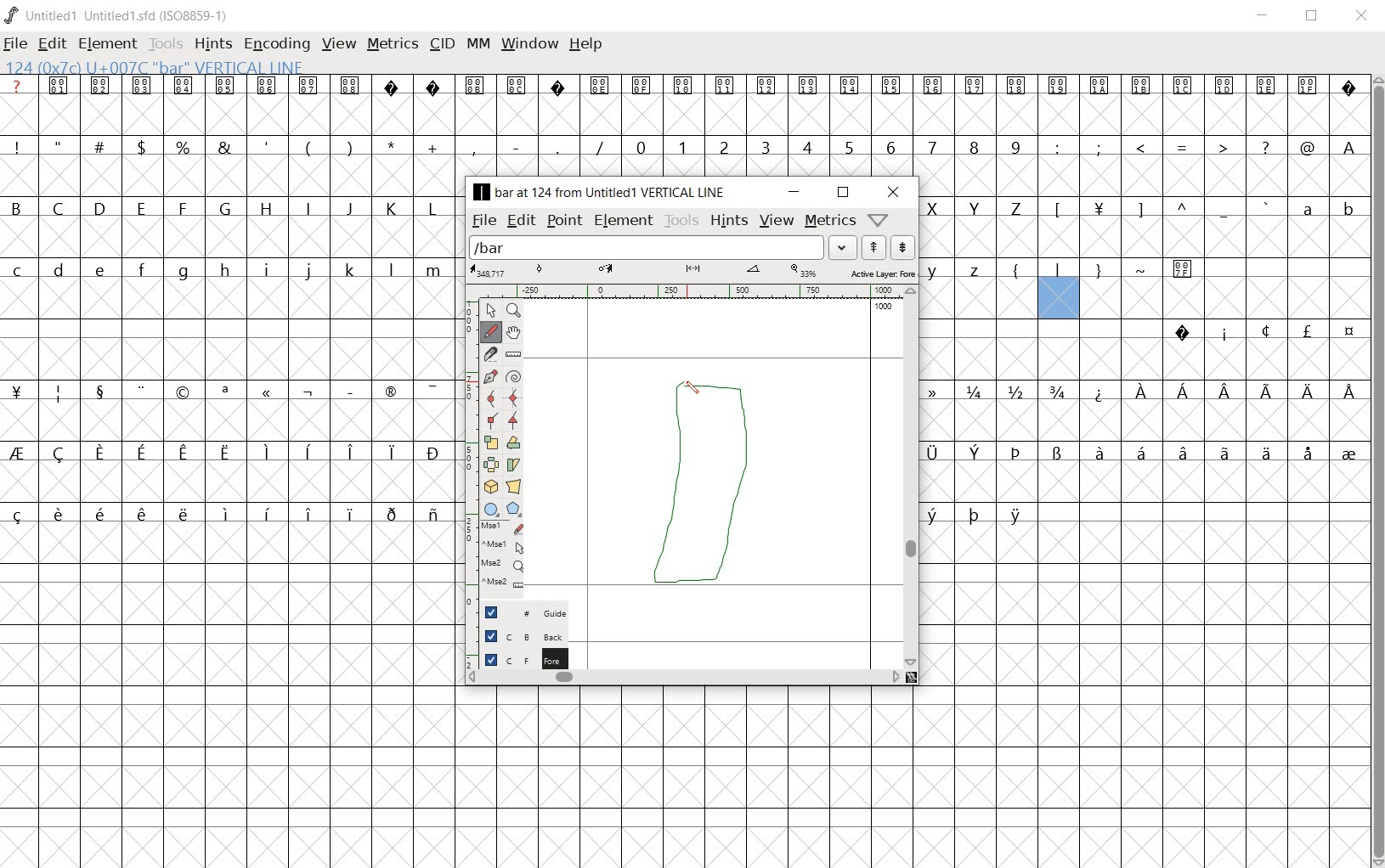 The height and width of the screenshot is (868, 1385). I want to click on perform a perspective transformation on the selection, so click(514, 486).